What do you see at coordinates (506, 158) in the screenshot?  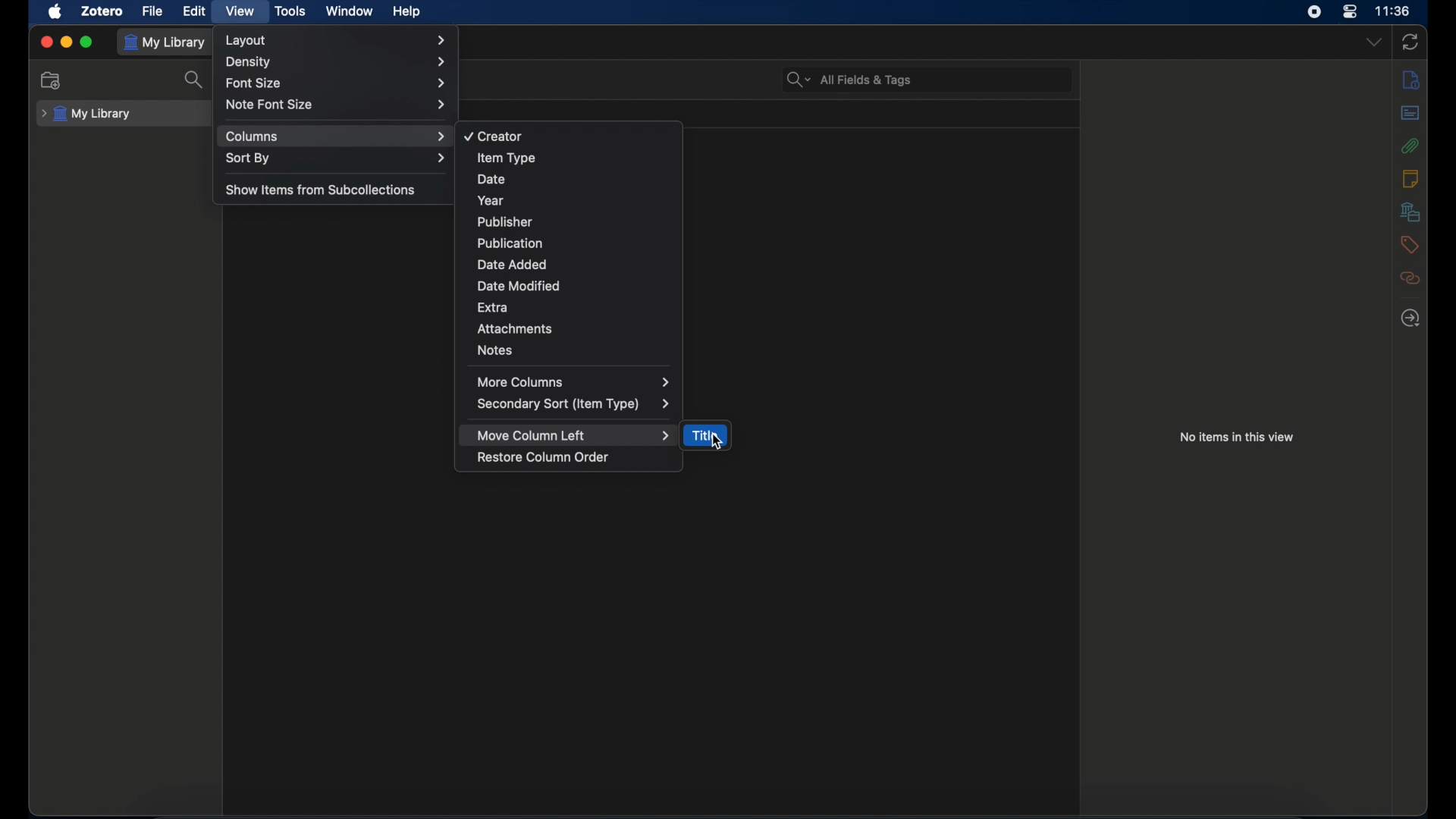 I see `item type` at bounding box center [506, 158].